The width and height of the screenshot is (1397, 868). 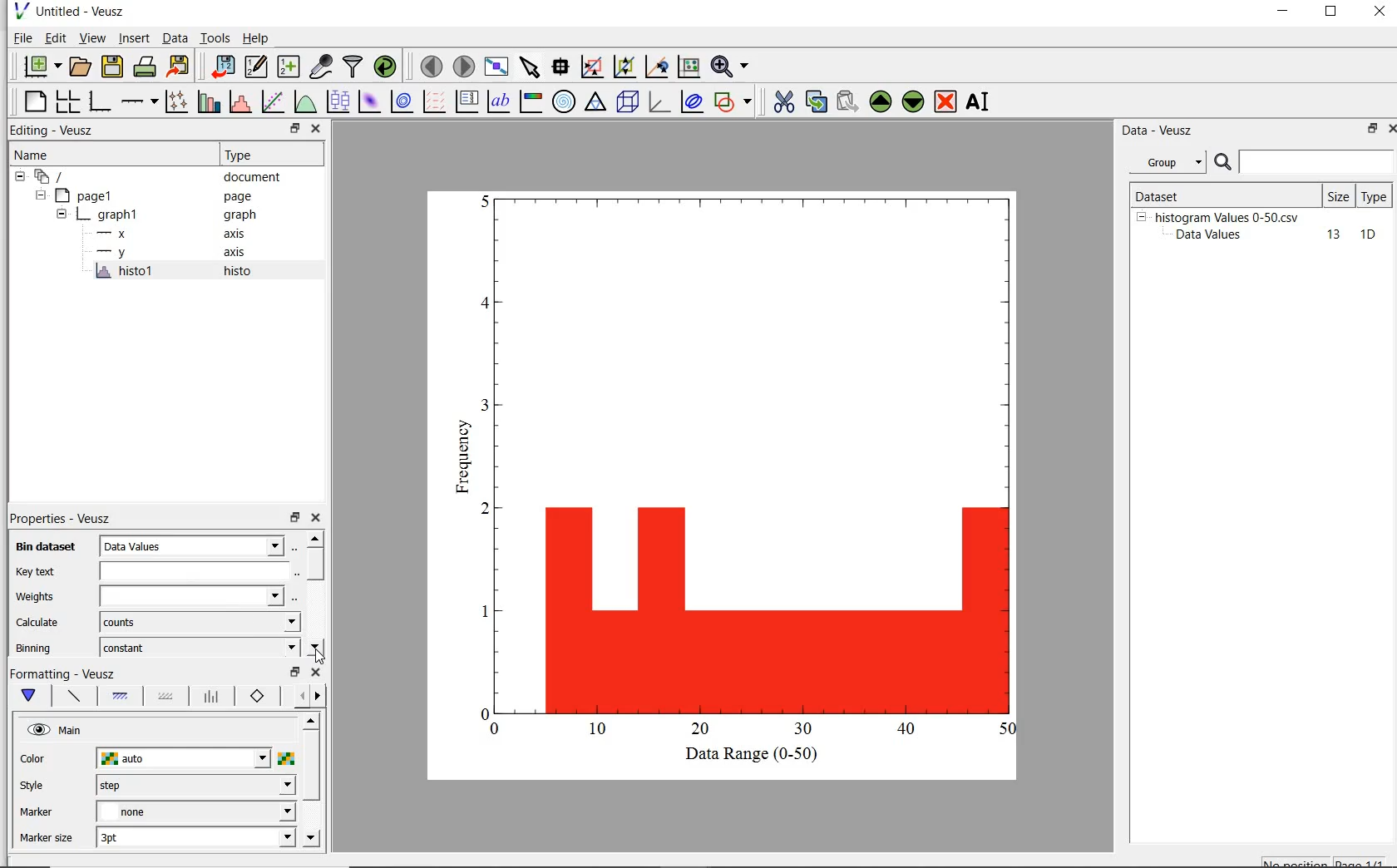 I want to click on Data - Veusz, so click(x=1160, y=131).